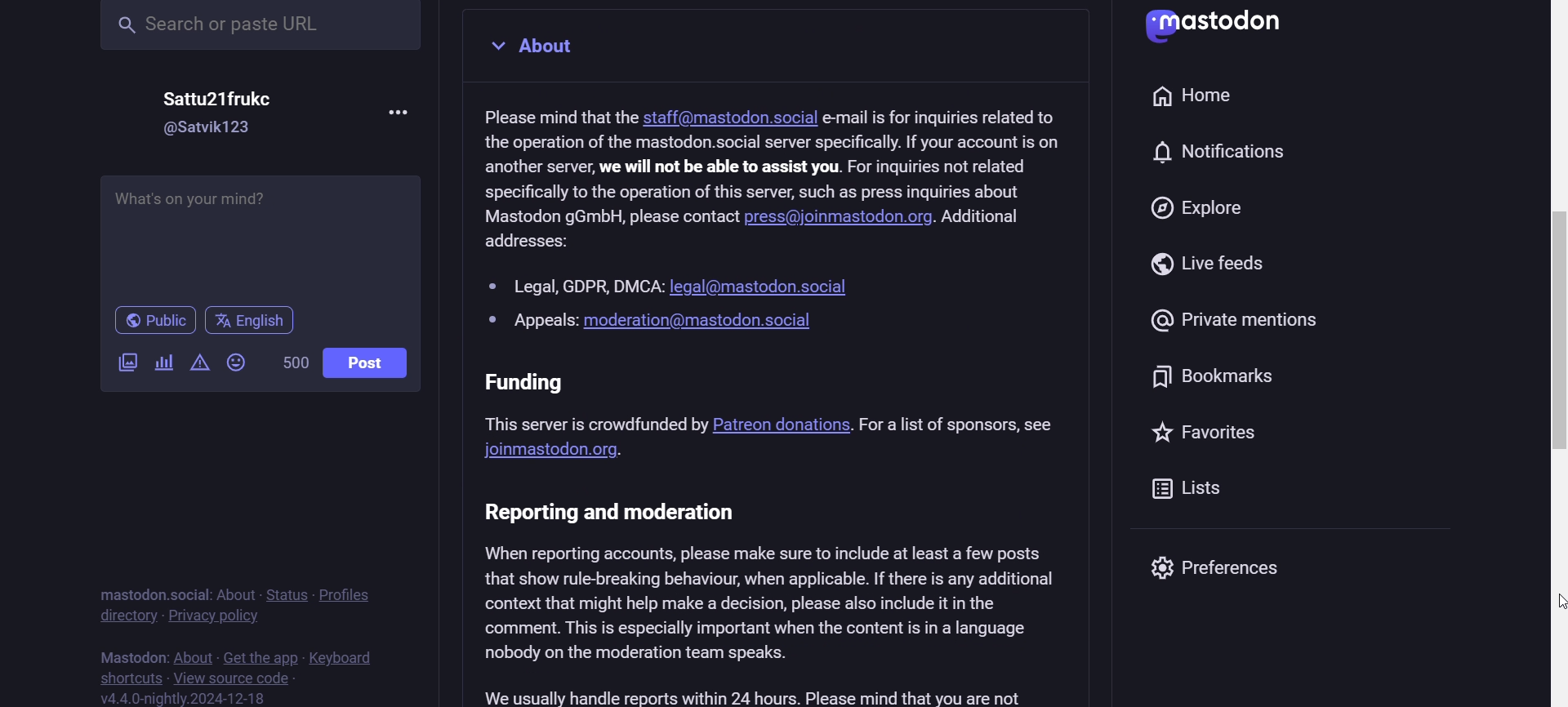 The image size is (1568, 707). I want to click on version, so click(186, 698).